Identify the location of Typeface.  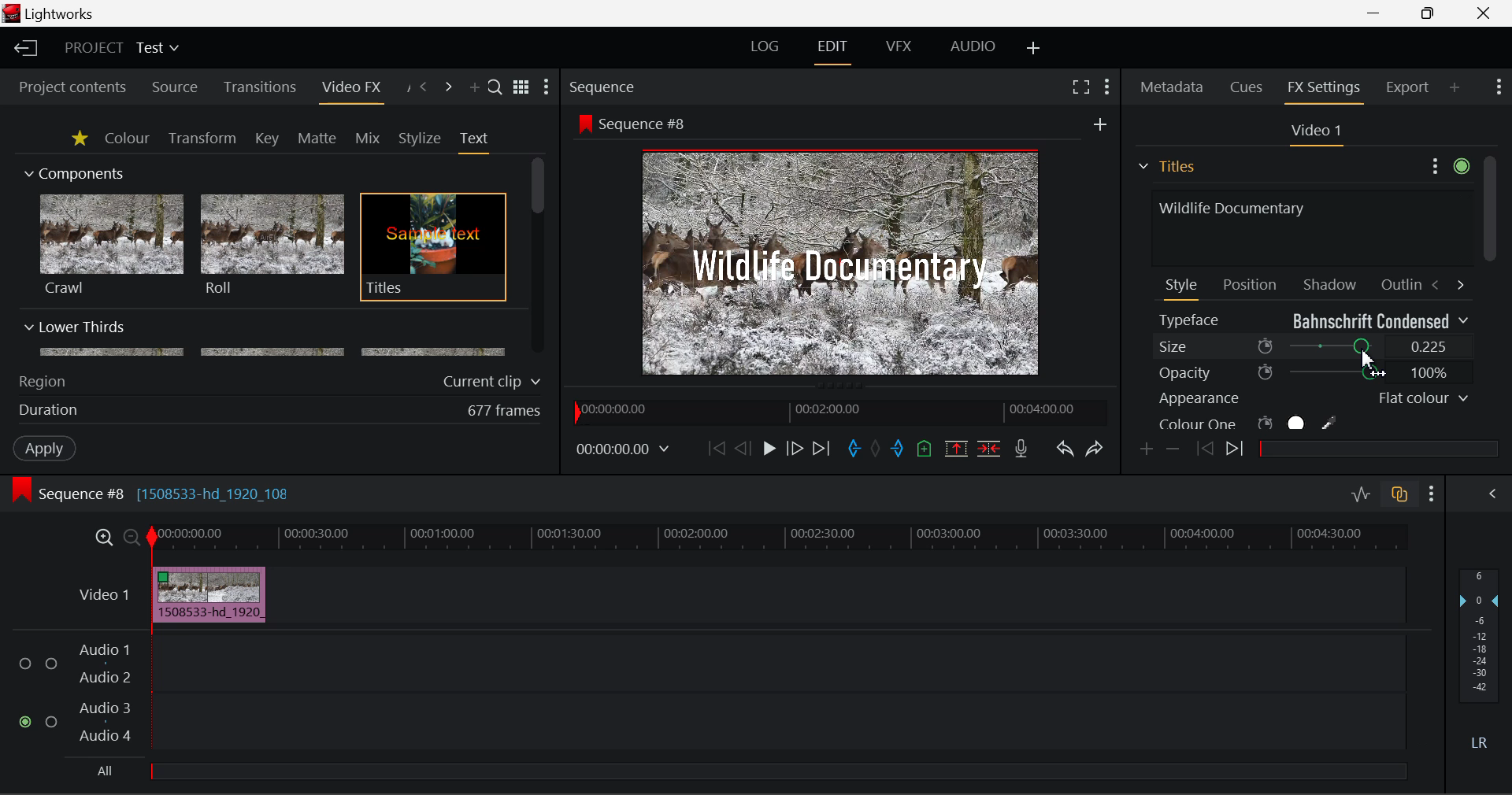
(1314, 320).